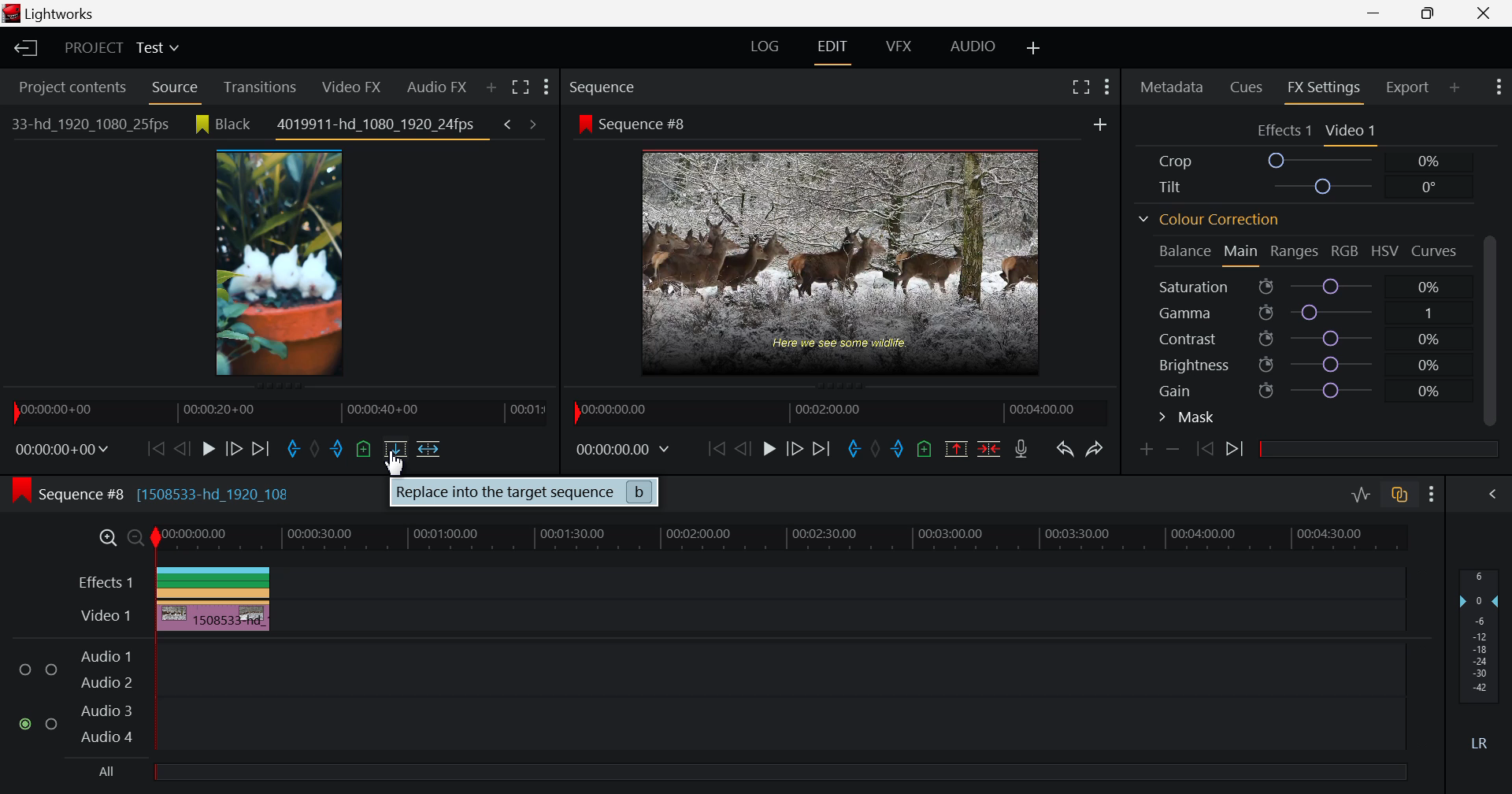 The width and height of the screenshot is (1512, 794). I want to click on Contrast, so click(1307, 336).